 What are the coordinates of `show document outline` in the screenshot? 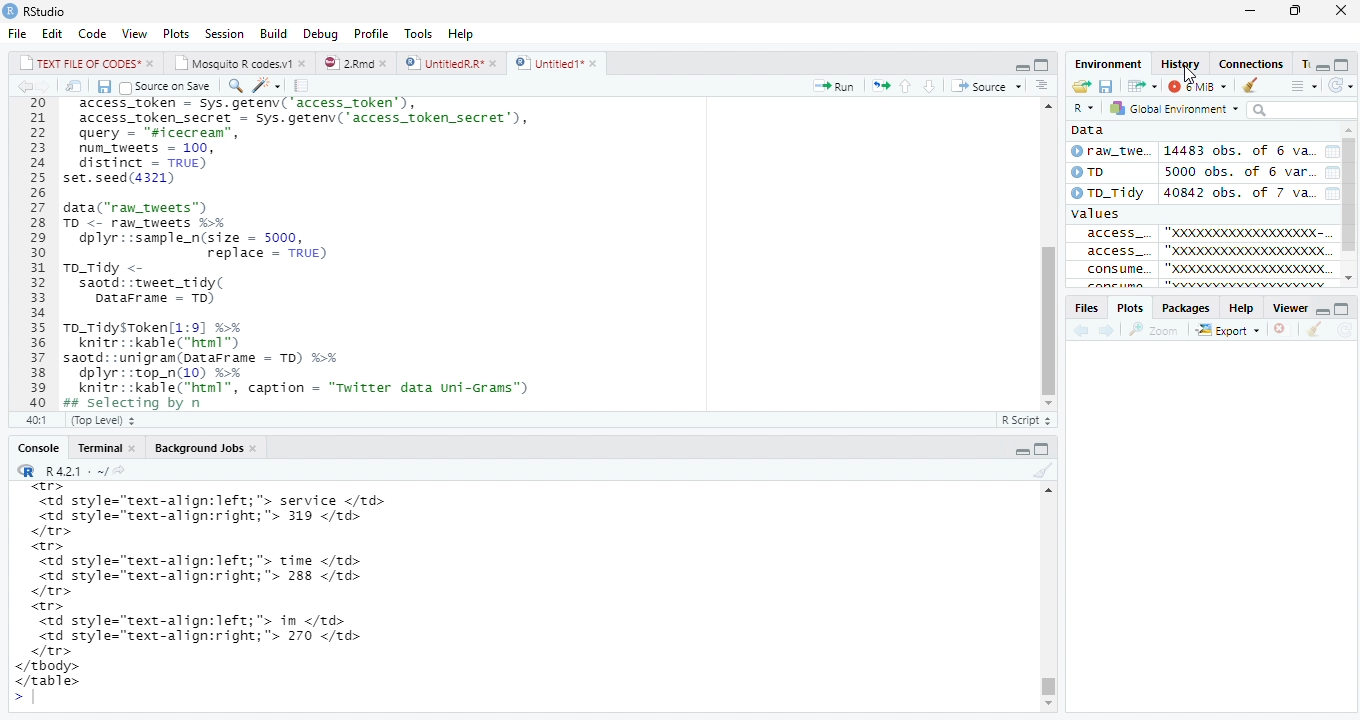 It's located at (1046, 84).